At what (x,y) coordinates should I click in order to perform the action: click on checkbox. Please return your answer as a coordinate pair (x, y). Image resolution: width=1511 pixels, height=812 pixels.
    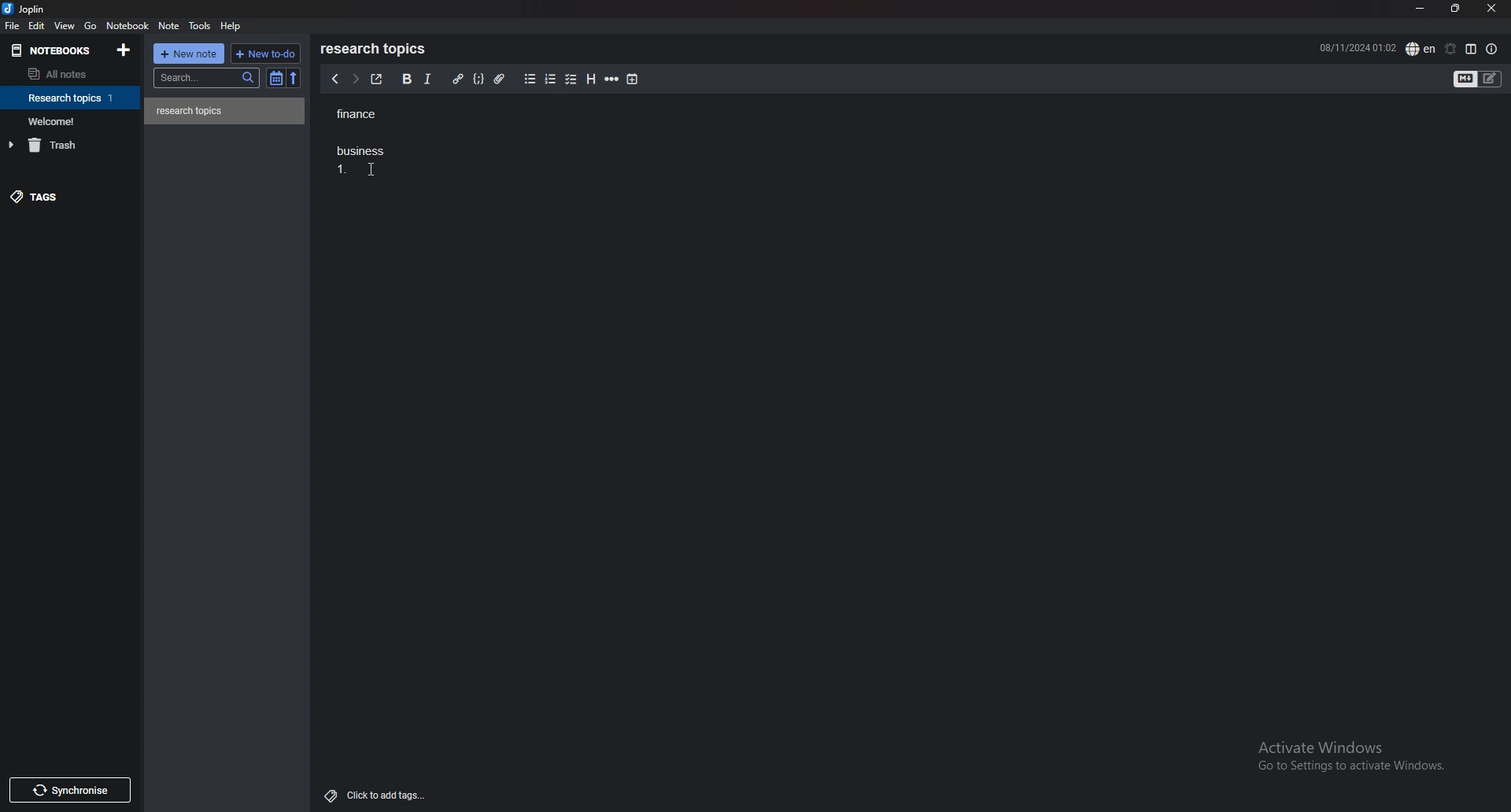
    Looking at the image, I should click on (571, 79).